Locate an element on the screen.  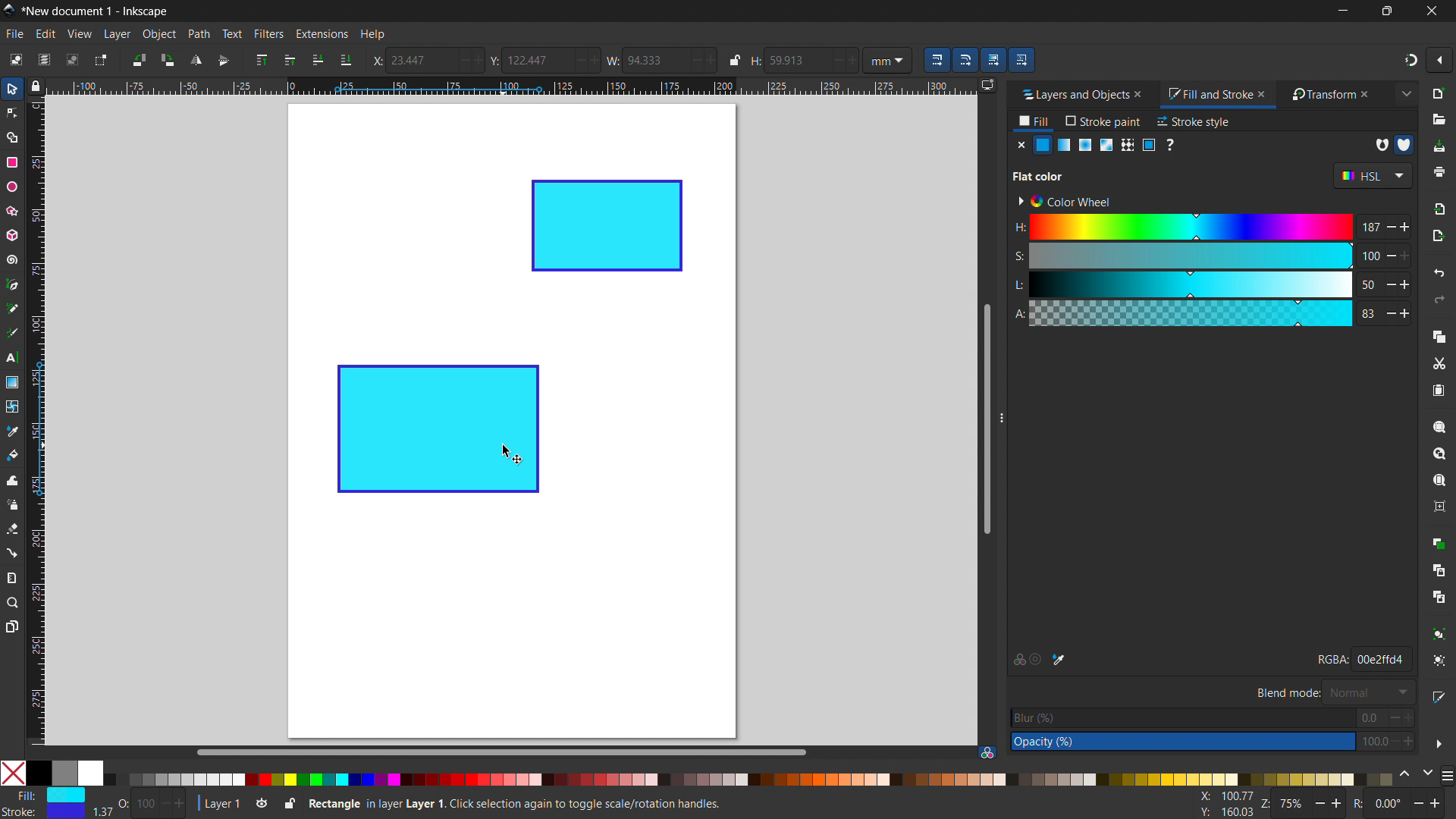
star/polygon tool is located at coordinates (10, 210).